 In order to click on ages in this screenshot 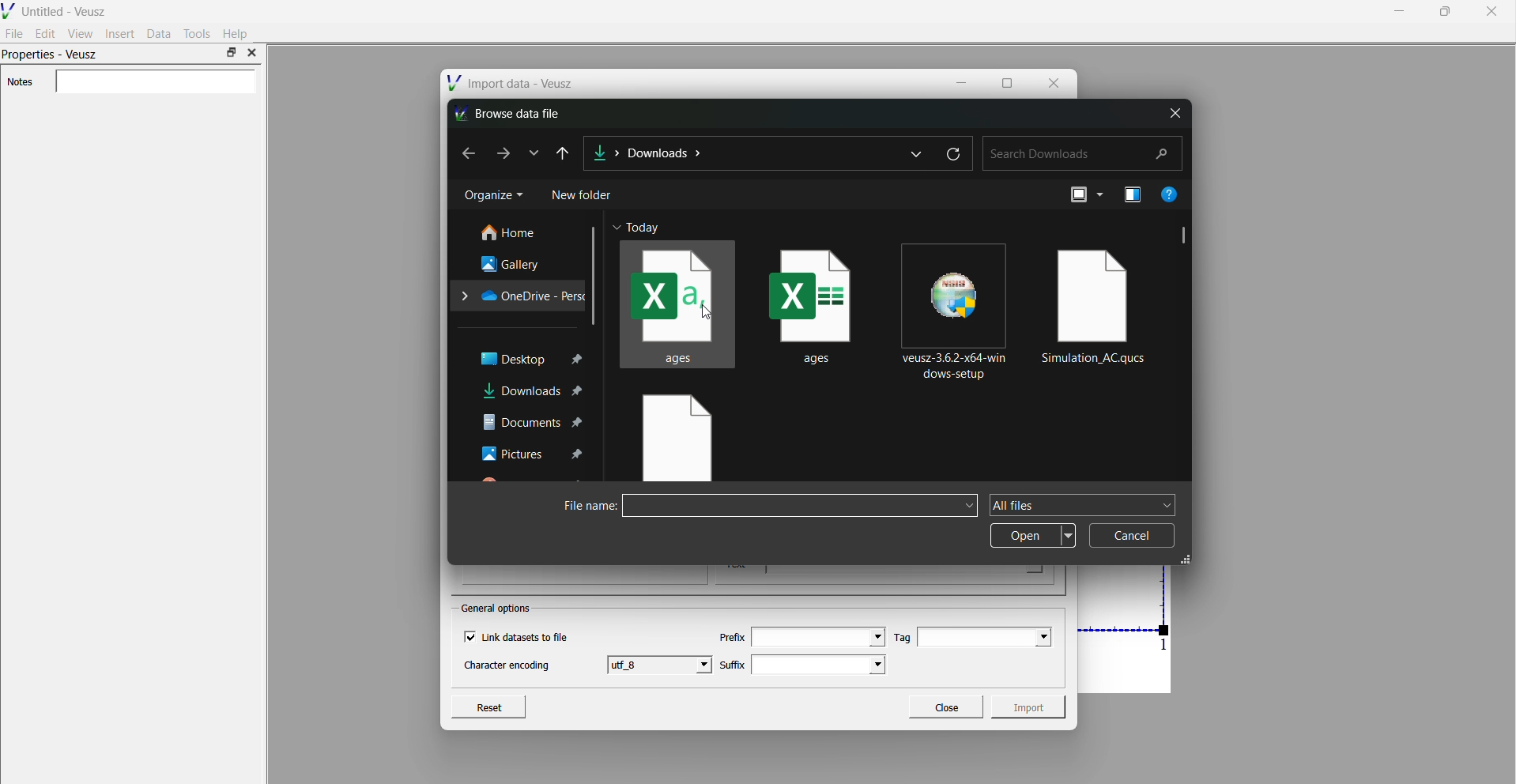, I will do `click(818, 300)`.